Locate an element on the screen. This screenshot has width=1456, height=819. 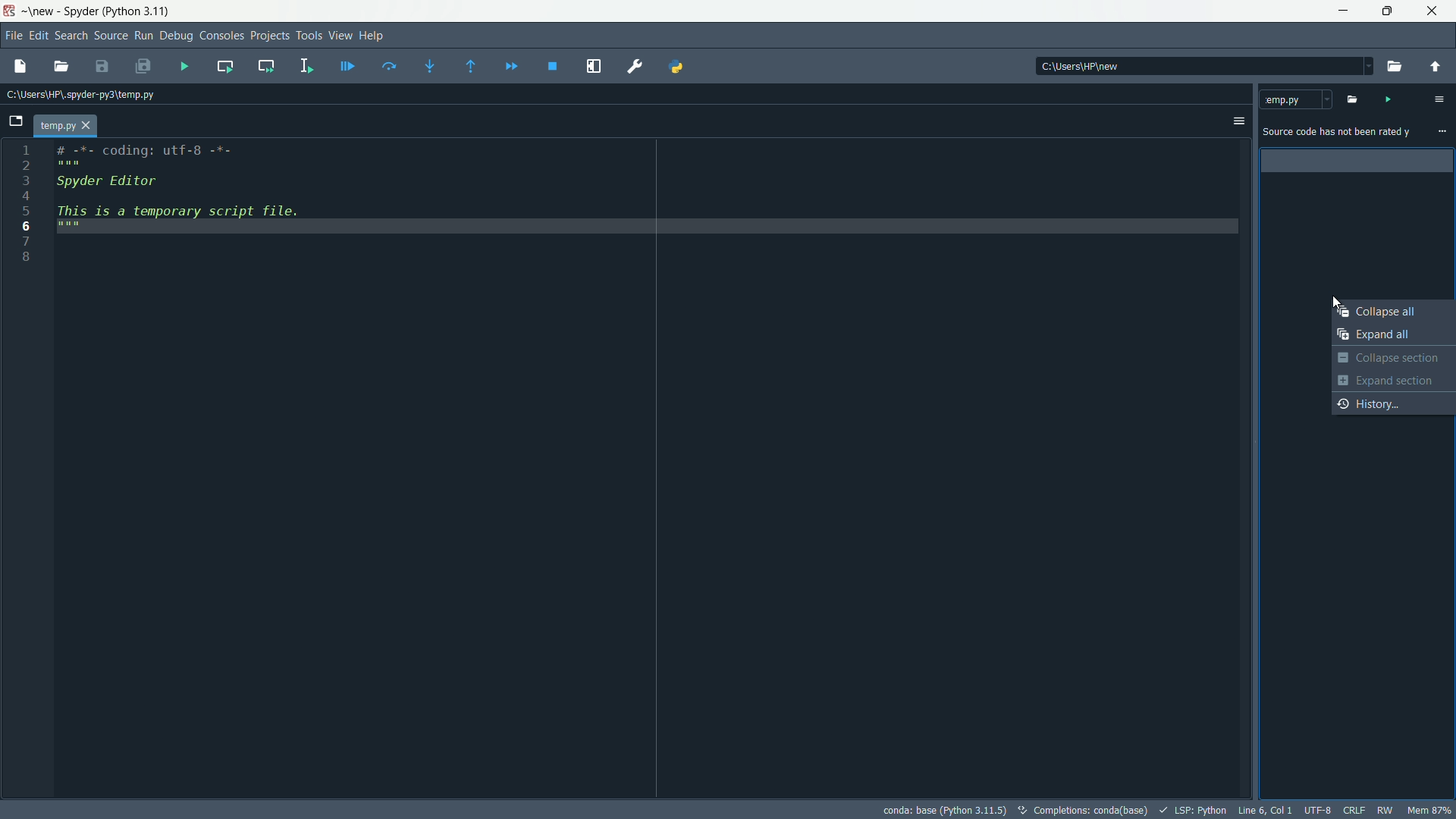
conda: base (Python 3.11.5) is located at coordinates (941, 808).